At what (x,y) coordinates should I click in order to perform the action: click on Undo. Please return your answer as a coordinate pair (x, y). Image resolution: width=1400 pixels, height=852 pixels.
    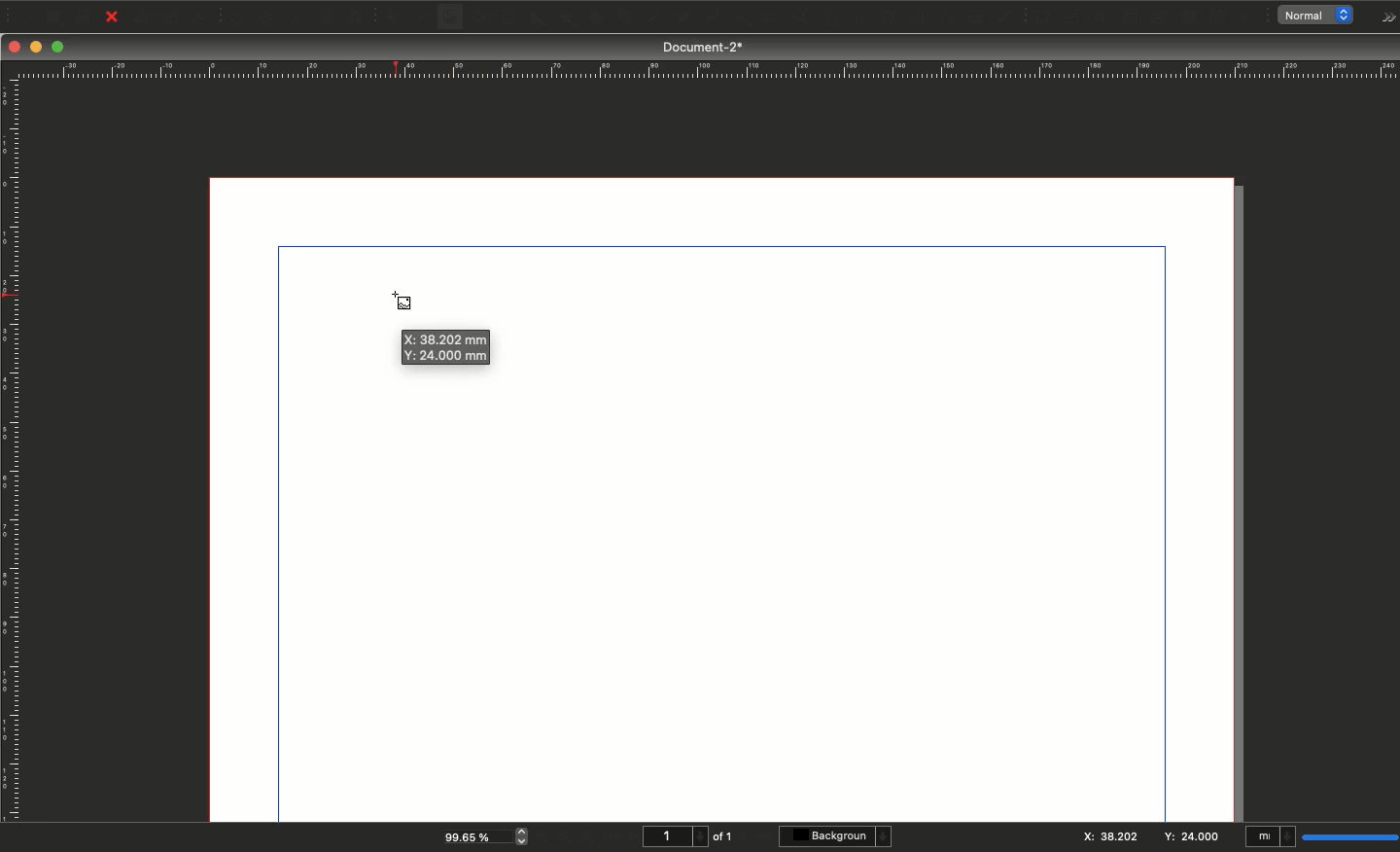
    Looking at the image, I should click on (237, 18).